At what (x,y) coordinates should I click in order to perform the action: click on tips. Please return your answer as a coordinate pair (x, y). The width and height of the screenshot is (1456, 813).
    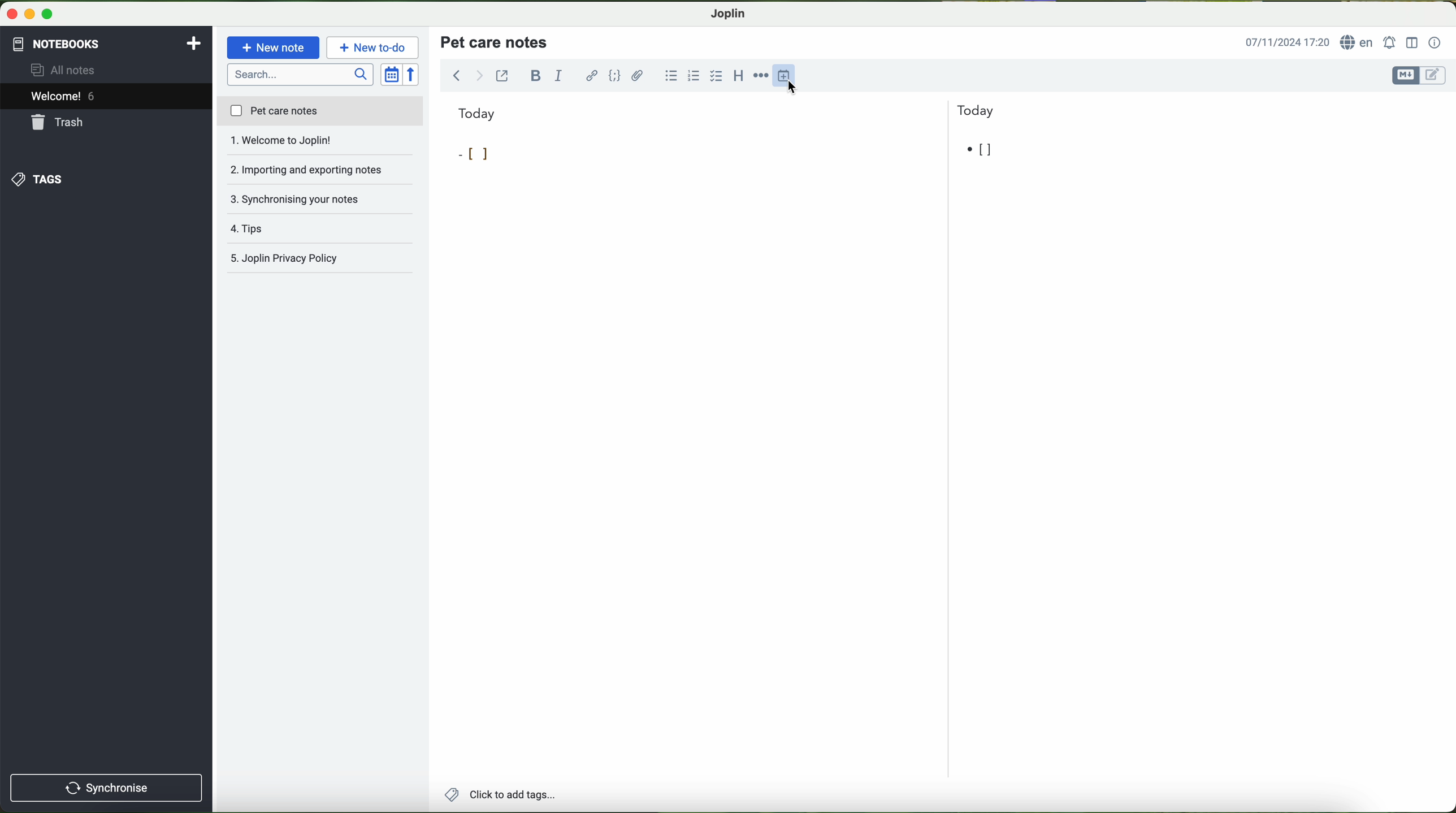
    Looking at the image, I should click on (320, 199).